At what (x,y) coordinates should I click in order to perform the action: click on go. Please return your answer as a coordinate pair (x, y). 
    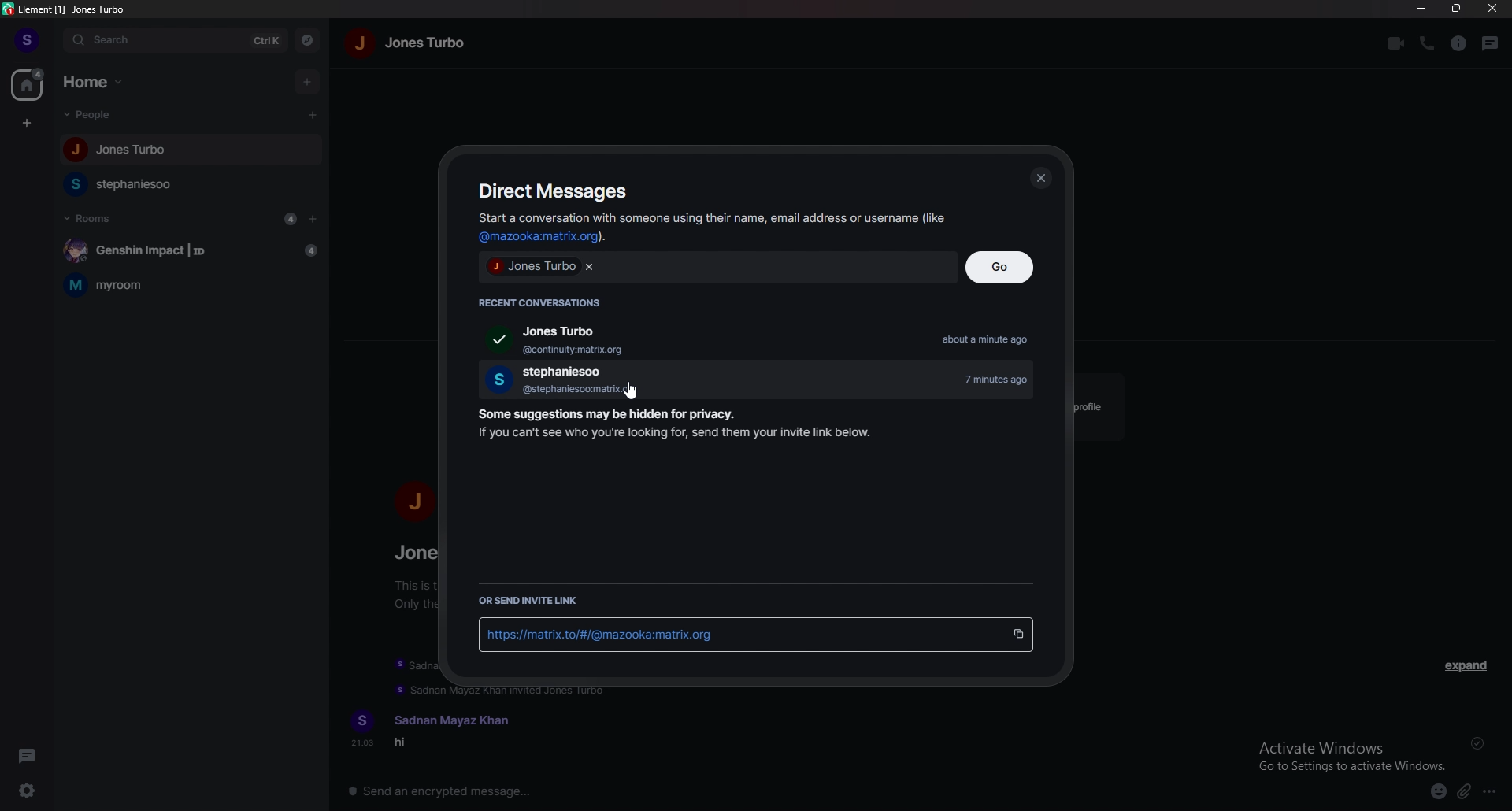
    Looking at the image, I should click on (1003, 266).